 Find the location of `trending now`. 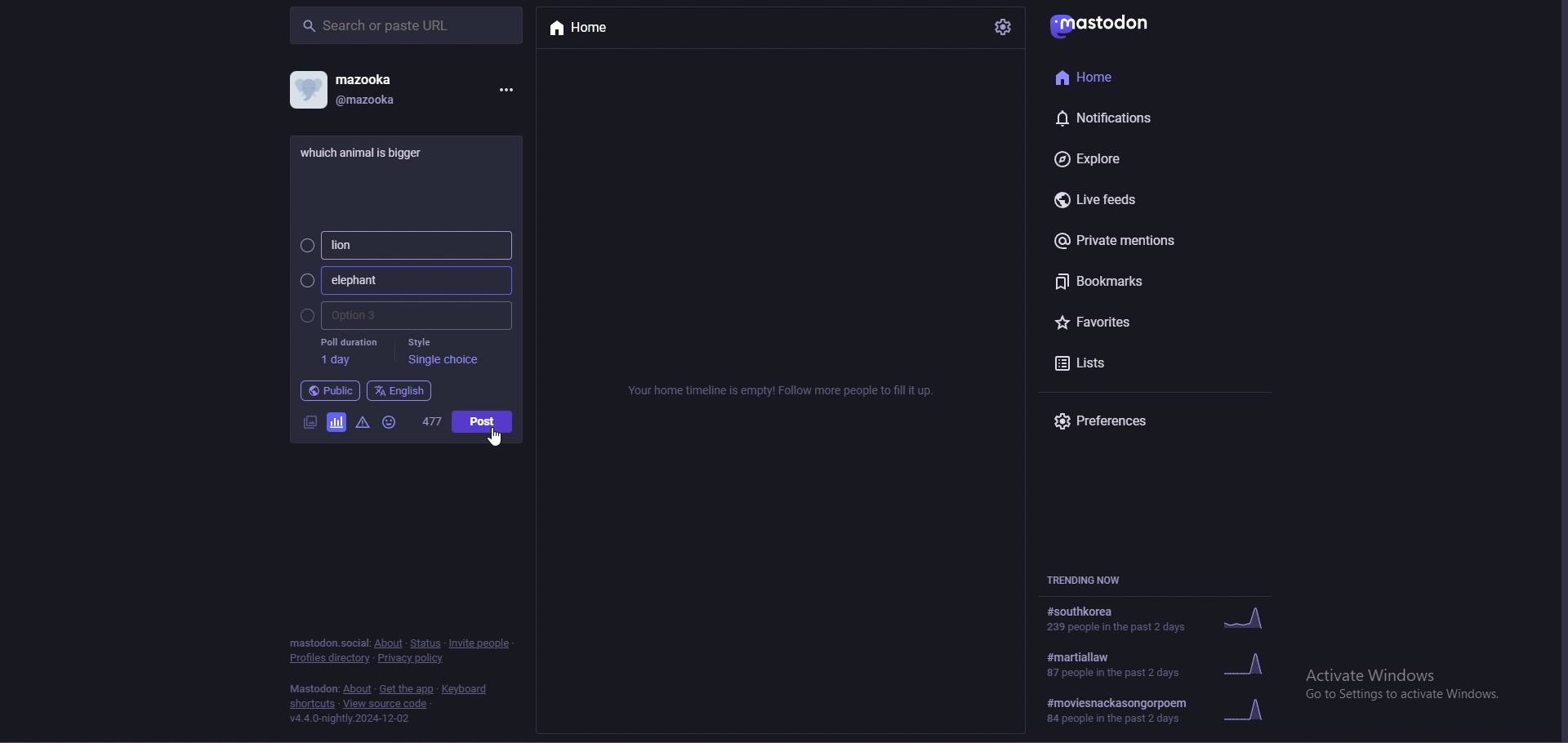

trending now is located at coordinates (1097, 581).